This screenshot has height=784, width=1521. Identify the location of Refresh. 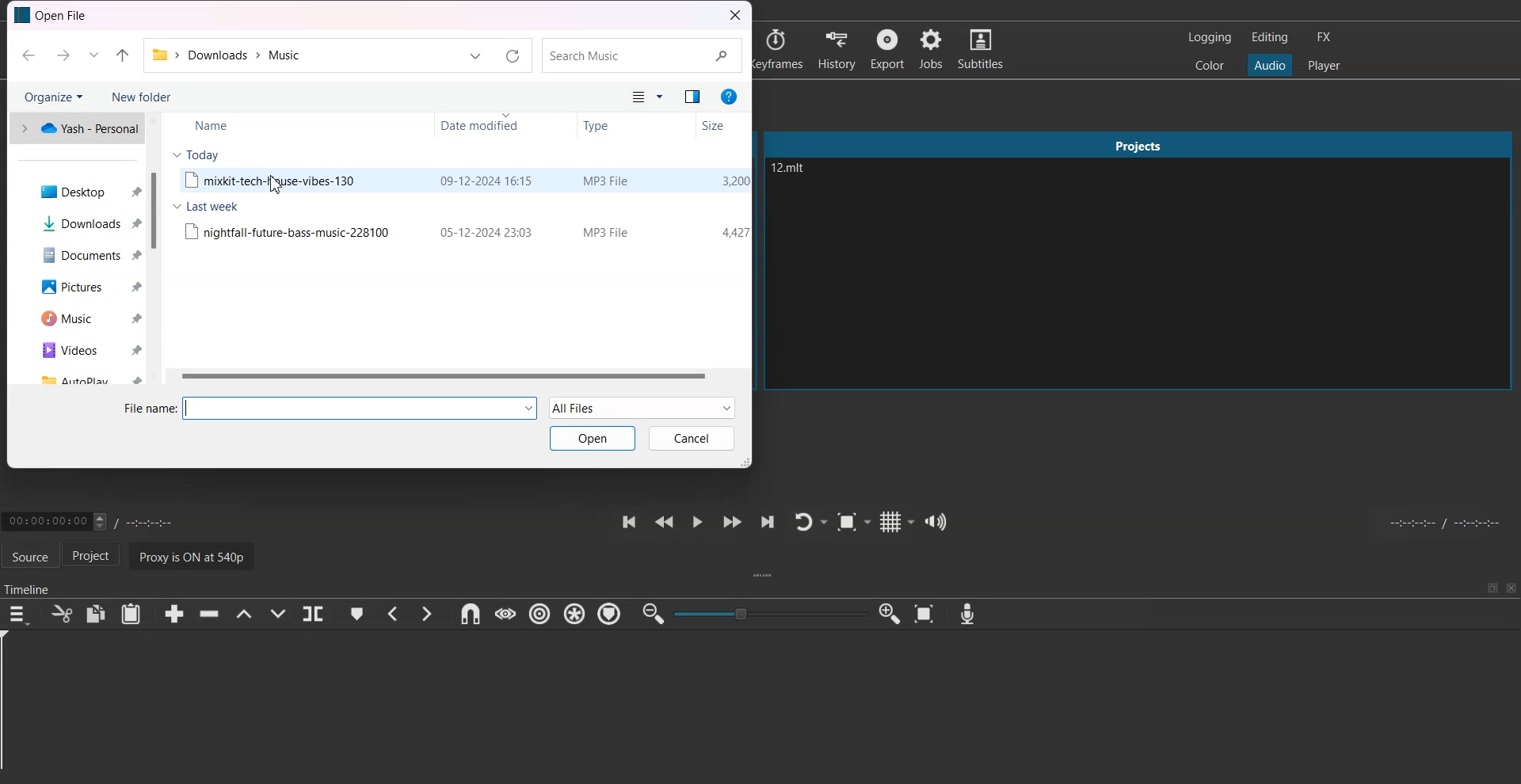
(513, 57).